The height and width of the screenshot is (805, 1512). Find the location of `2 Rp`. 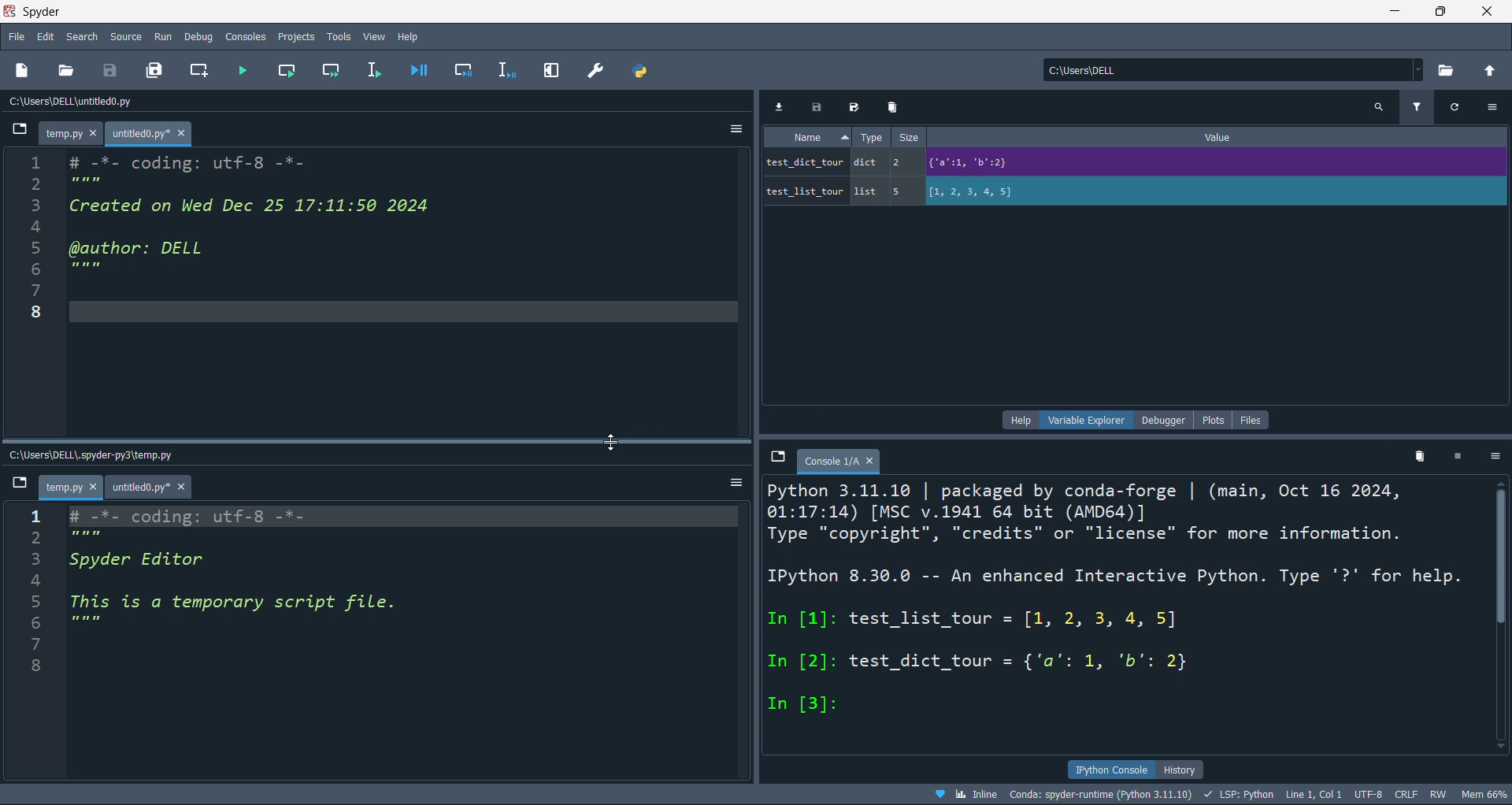

2 Rp is located at coordinates (83, 539).